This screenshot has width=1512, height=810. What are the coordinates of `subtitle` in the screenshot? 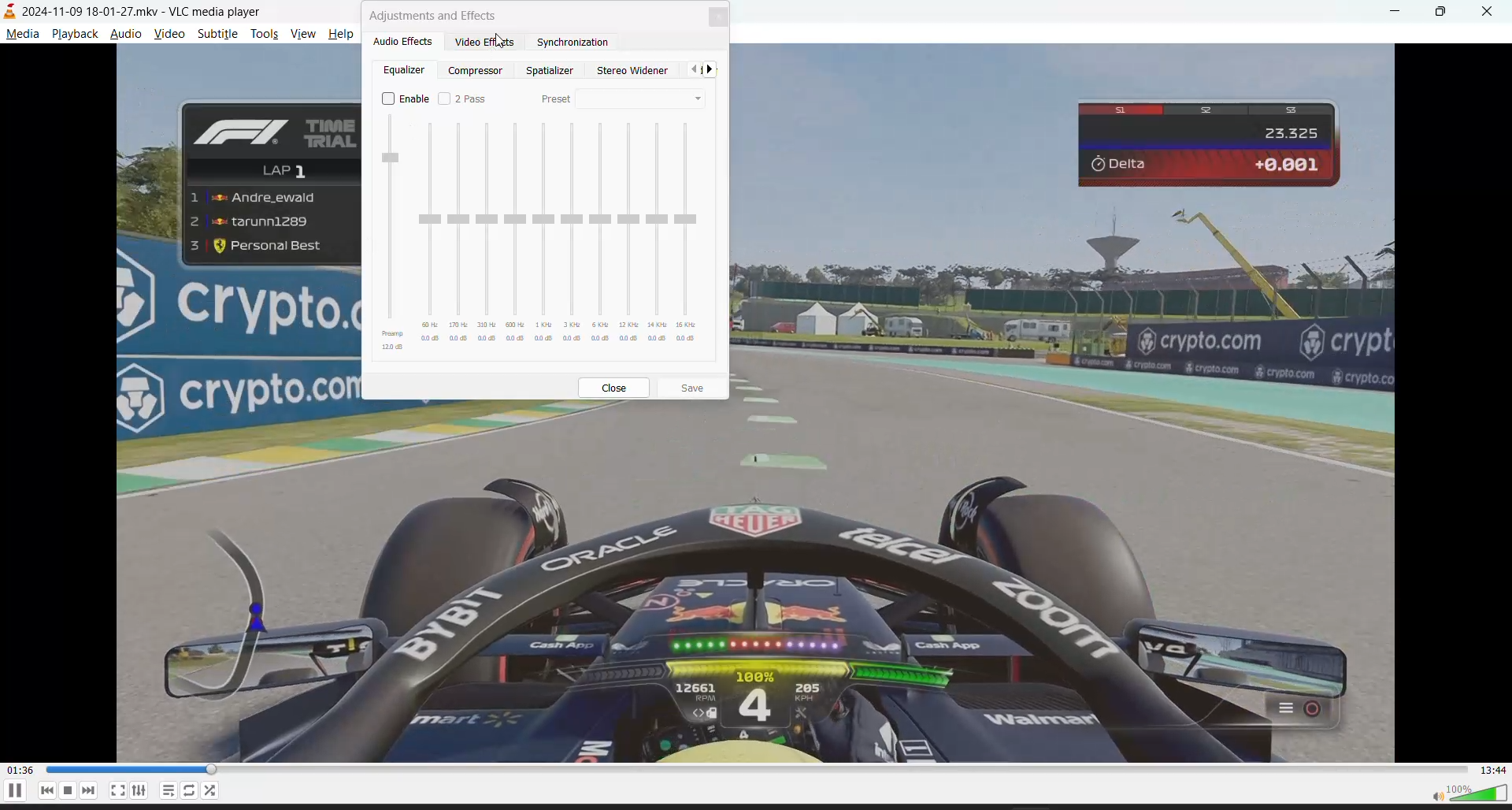 It's located at (216, 35).